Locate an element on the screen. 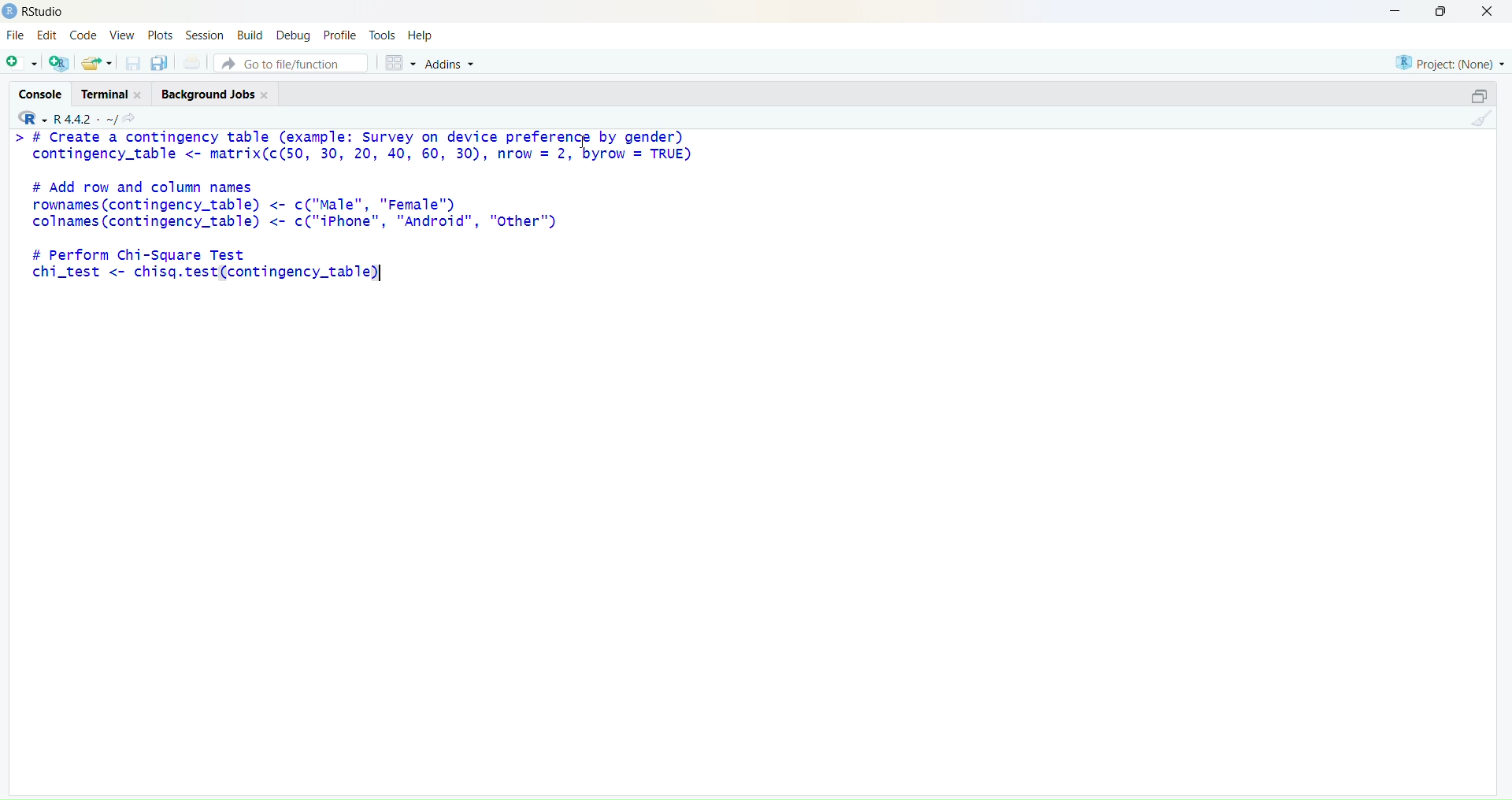 This screenshot has height=800, width=1512. Help is located at coordinates (421, 35).